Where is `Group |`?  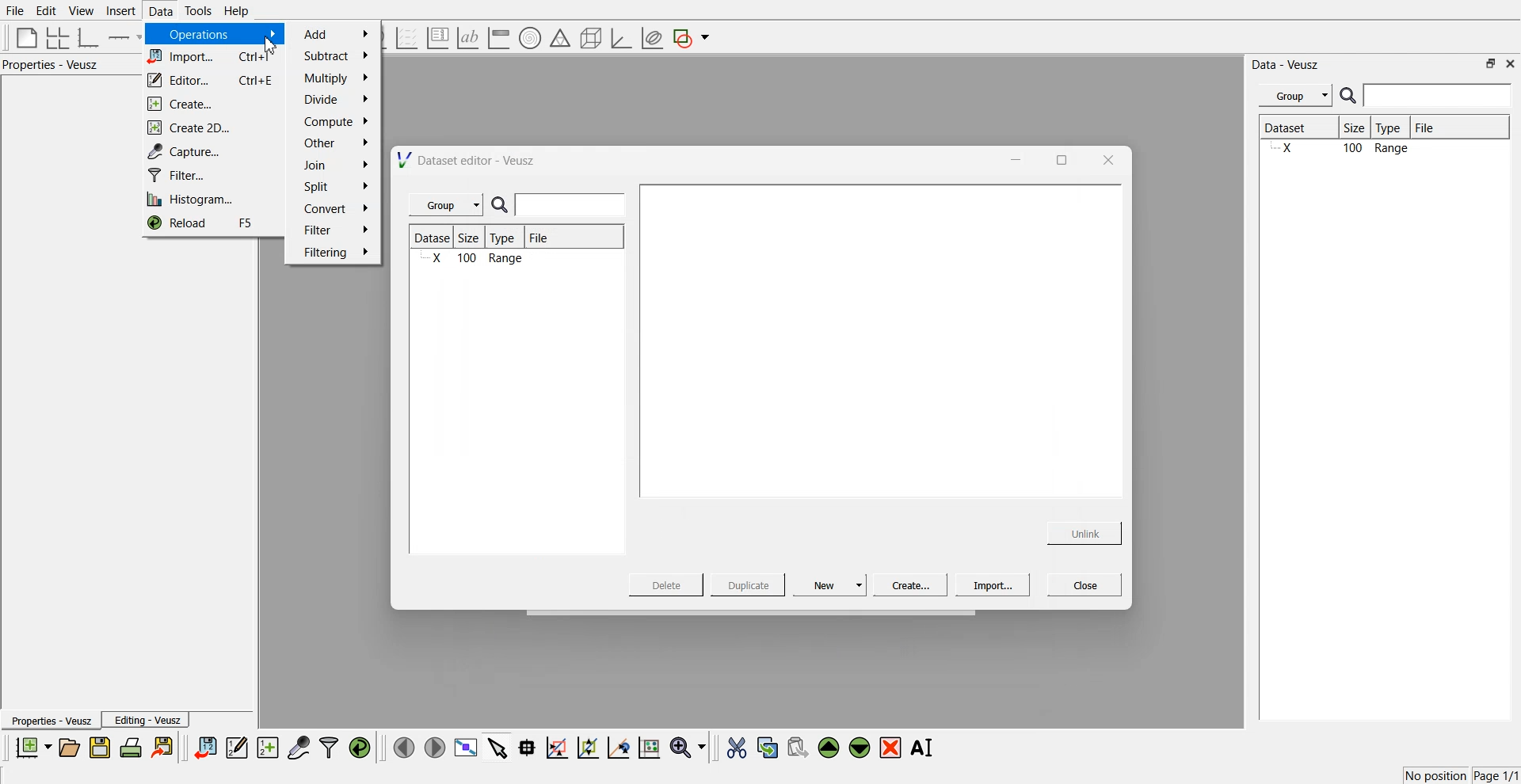
Group | is located at coordinates (448, 205).